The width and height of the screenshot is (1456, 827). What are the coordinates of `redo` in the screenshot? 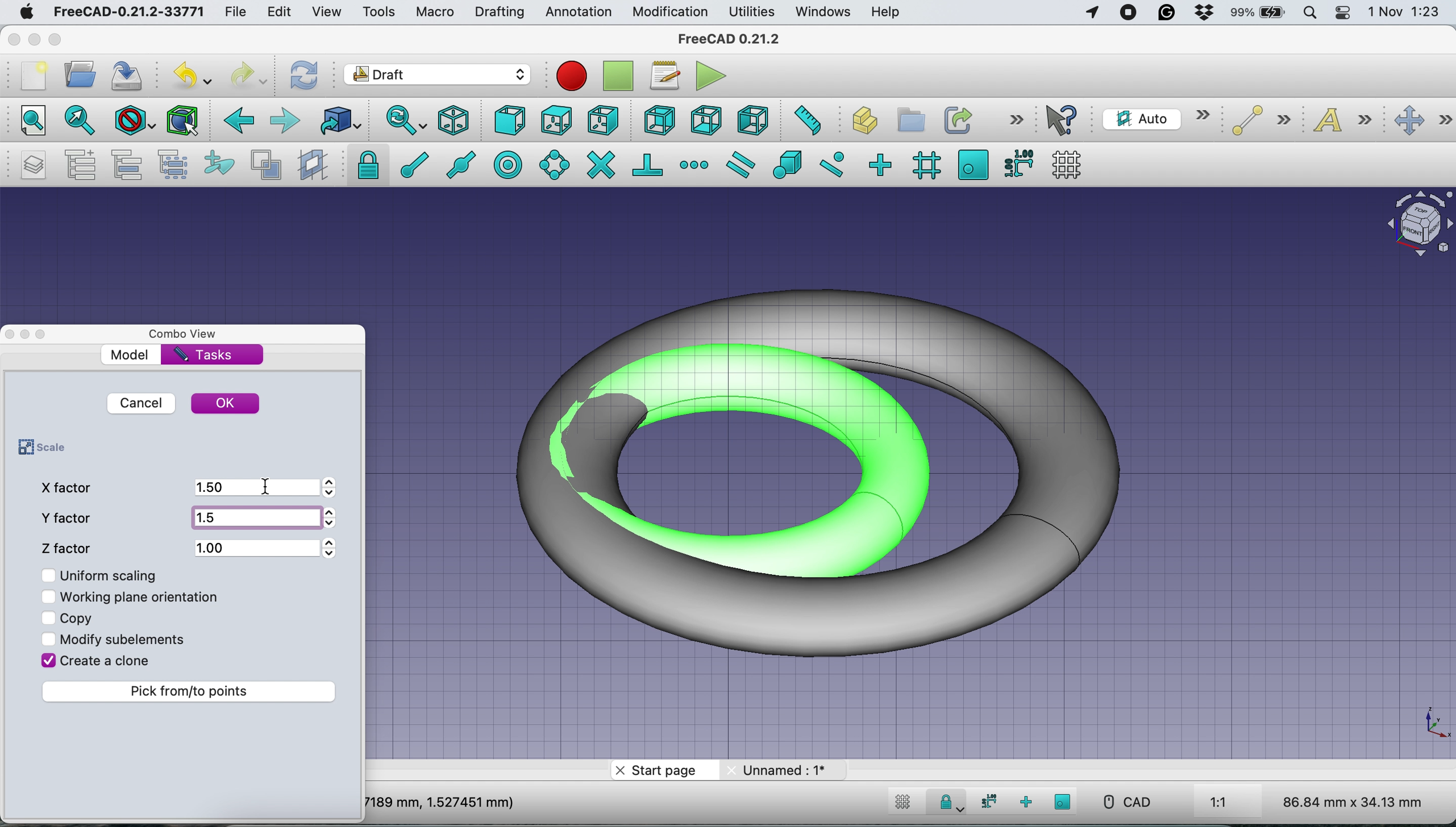 It's located at (248, 76).